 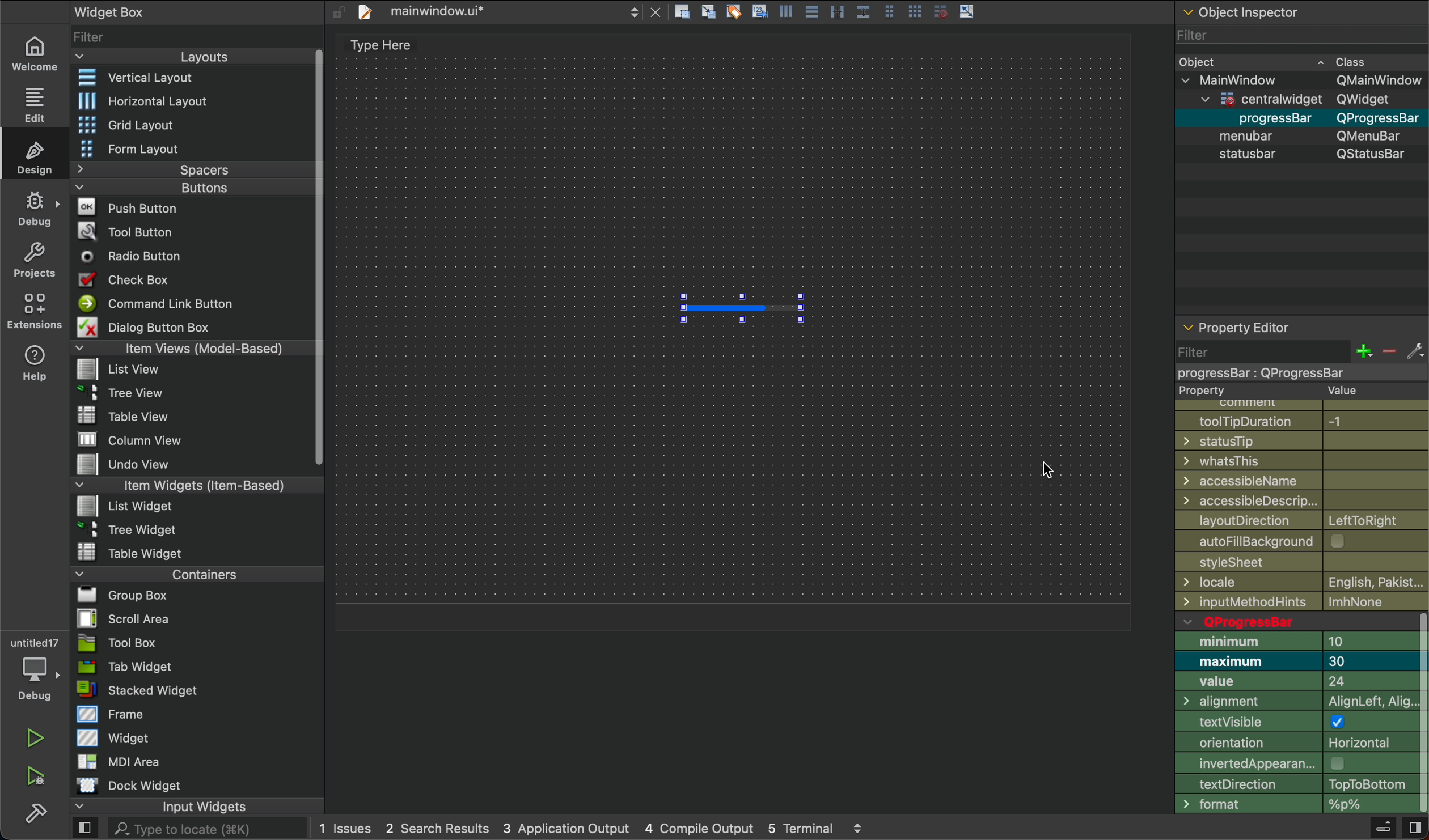 What do you see at coordinates (37, 814) in the screenshot?
I see `build` at bounding box center [37, 814].